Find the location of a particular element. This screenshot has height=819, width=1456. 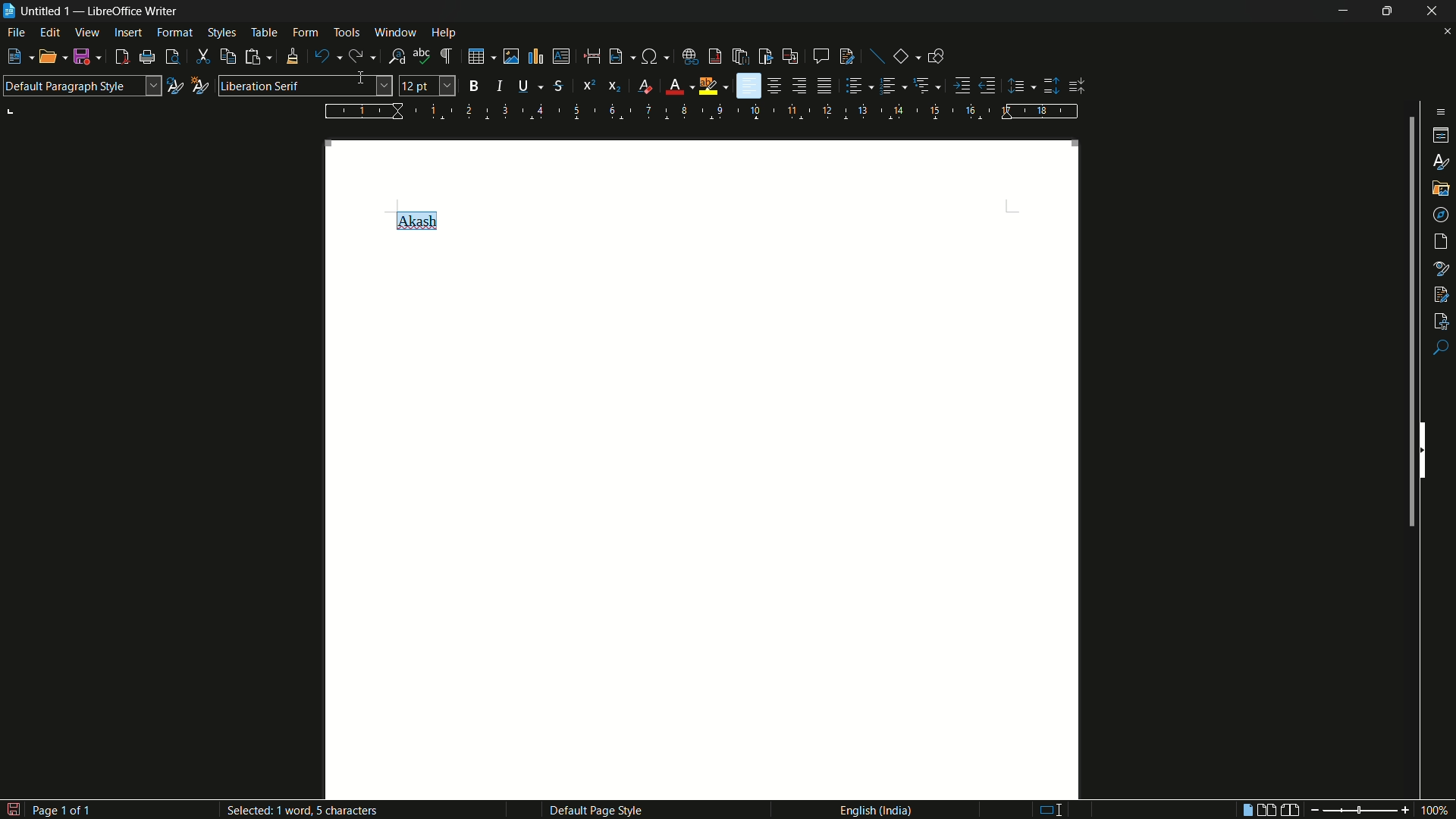

bullet points is located at coordinates (855, 86).